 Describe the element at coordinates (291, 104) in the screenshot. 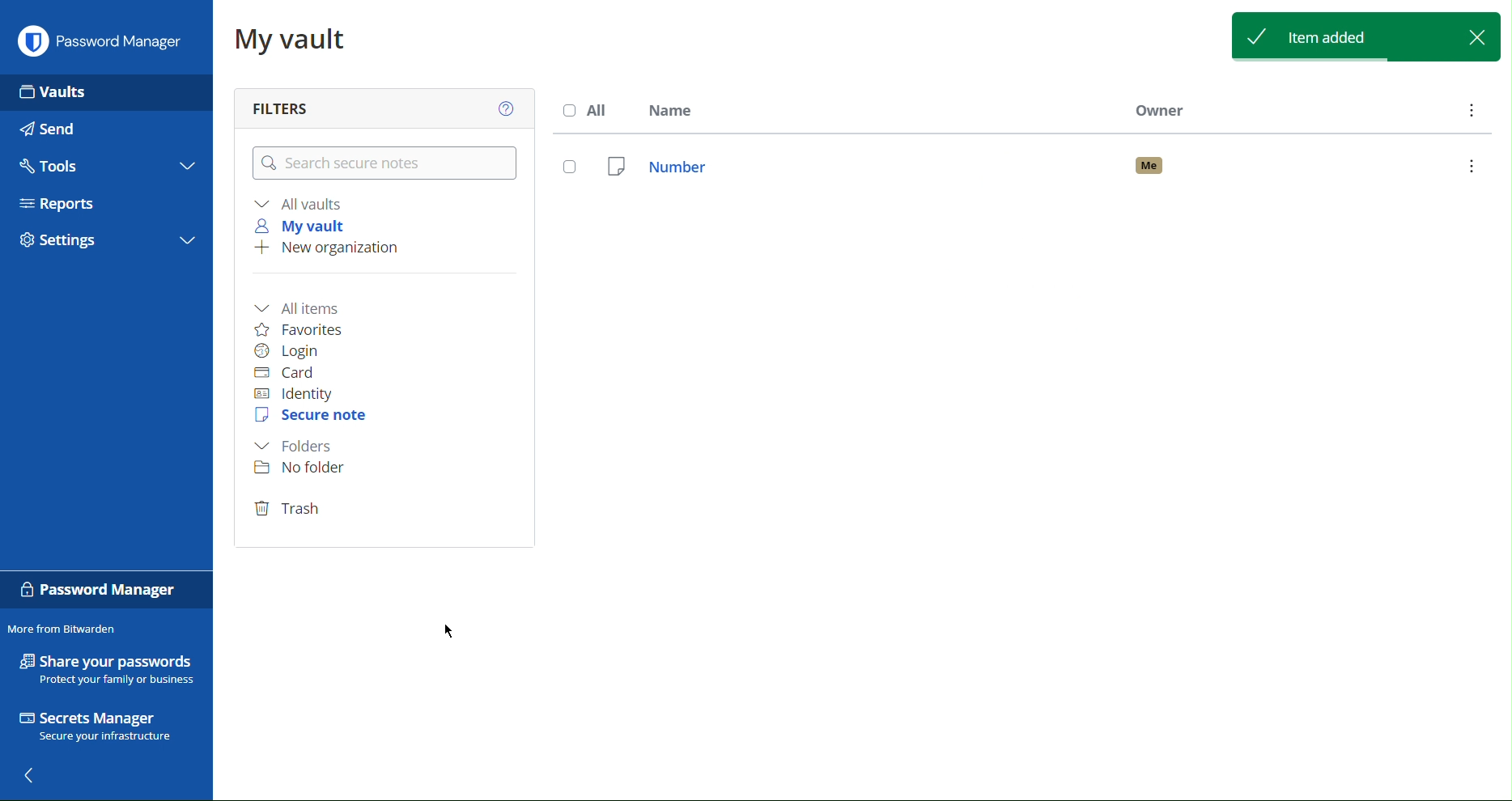

I see `Filters` at that location.